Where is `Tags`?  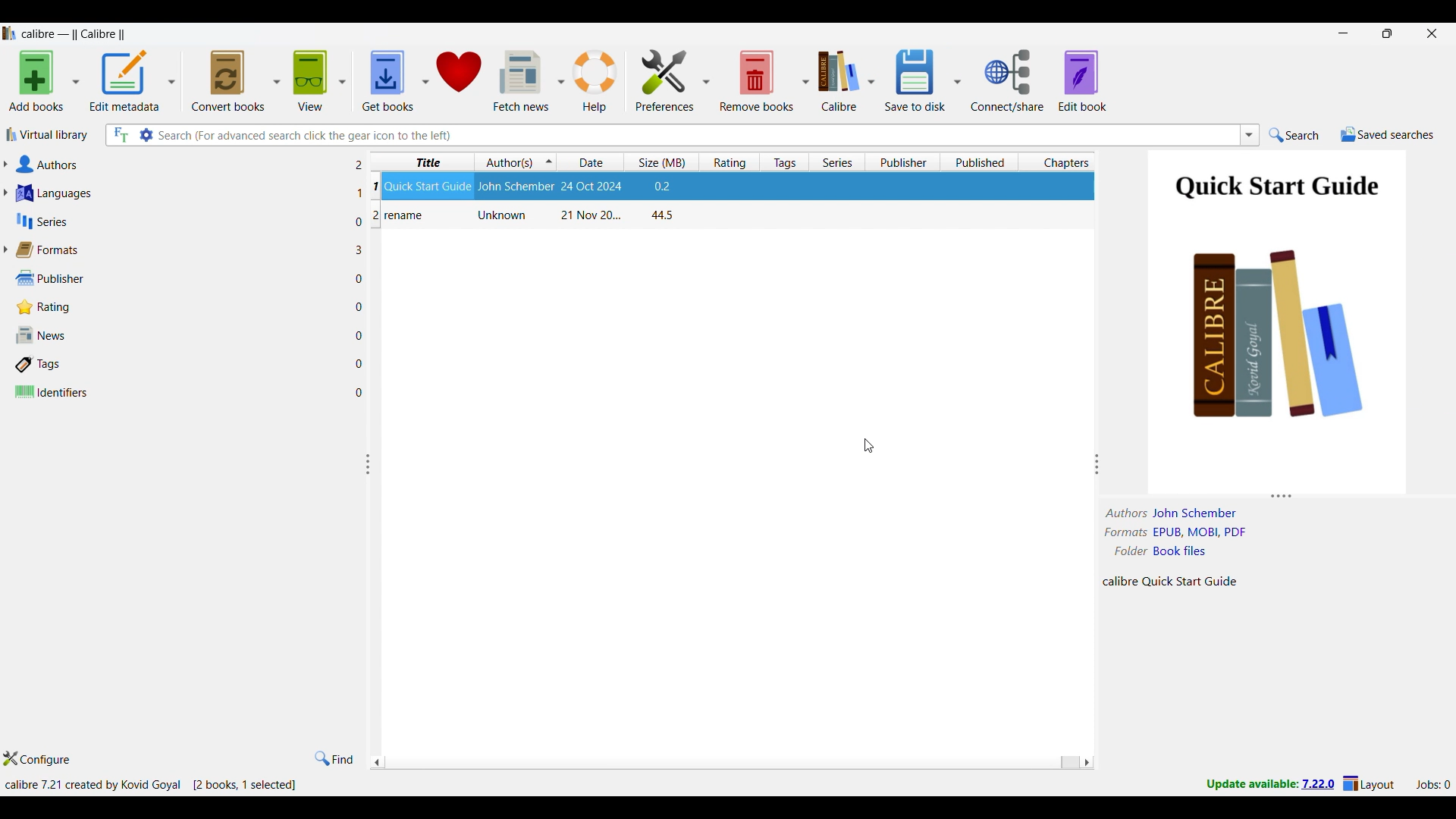
Tags is located at coordinates (180, 364).